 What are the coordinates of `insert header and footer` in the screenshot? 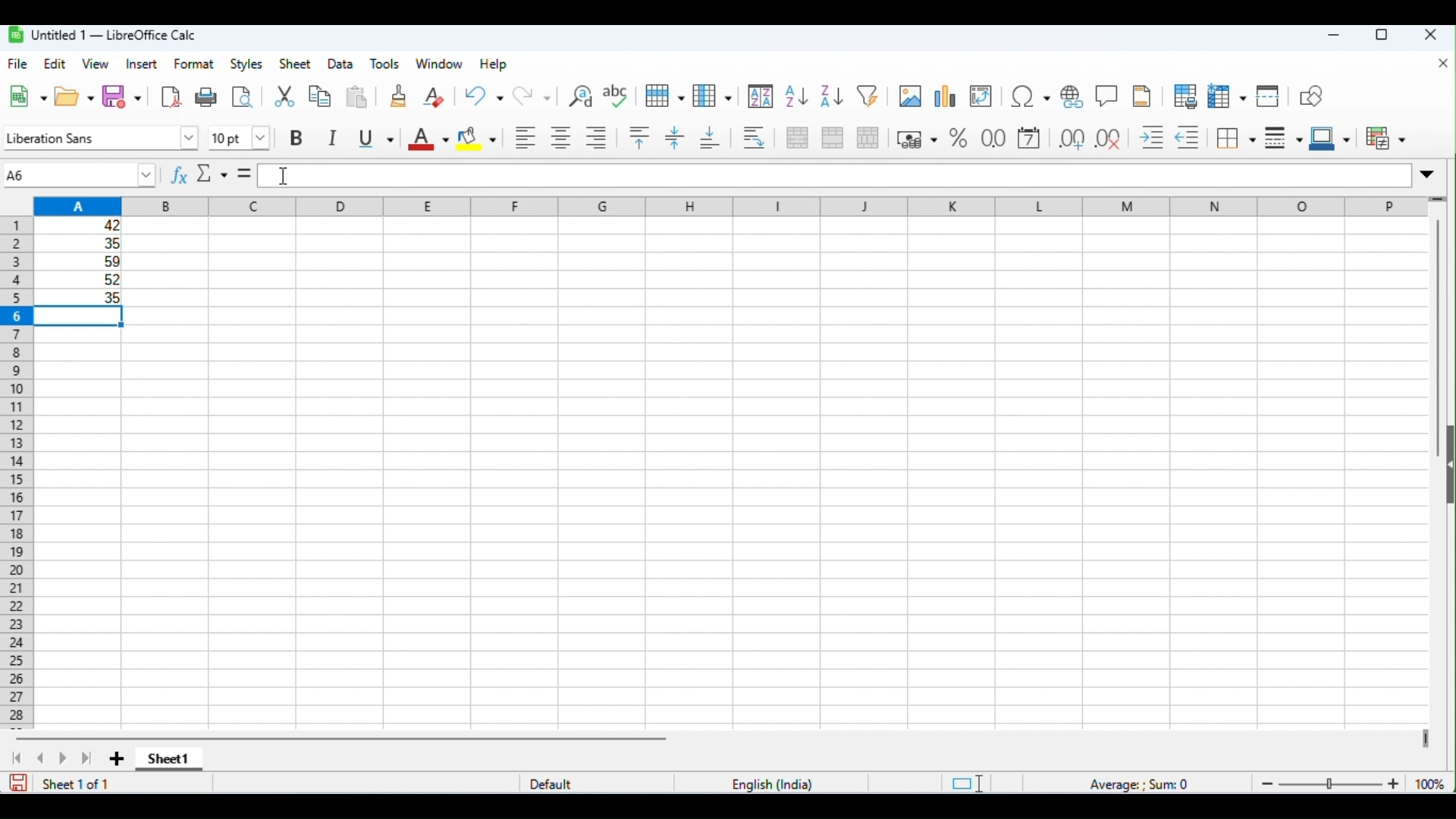 It's located at (1143, 96).